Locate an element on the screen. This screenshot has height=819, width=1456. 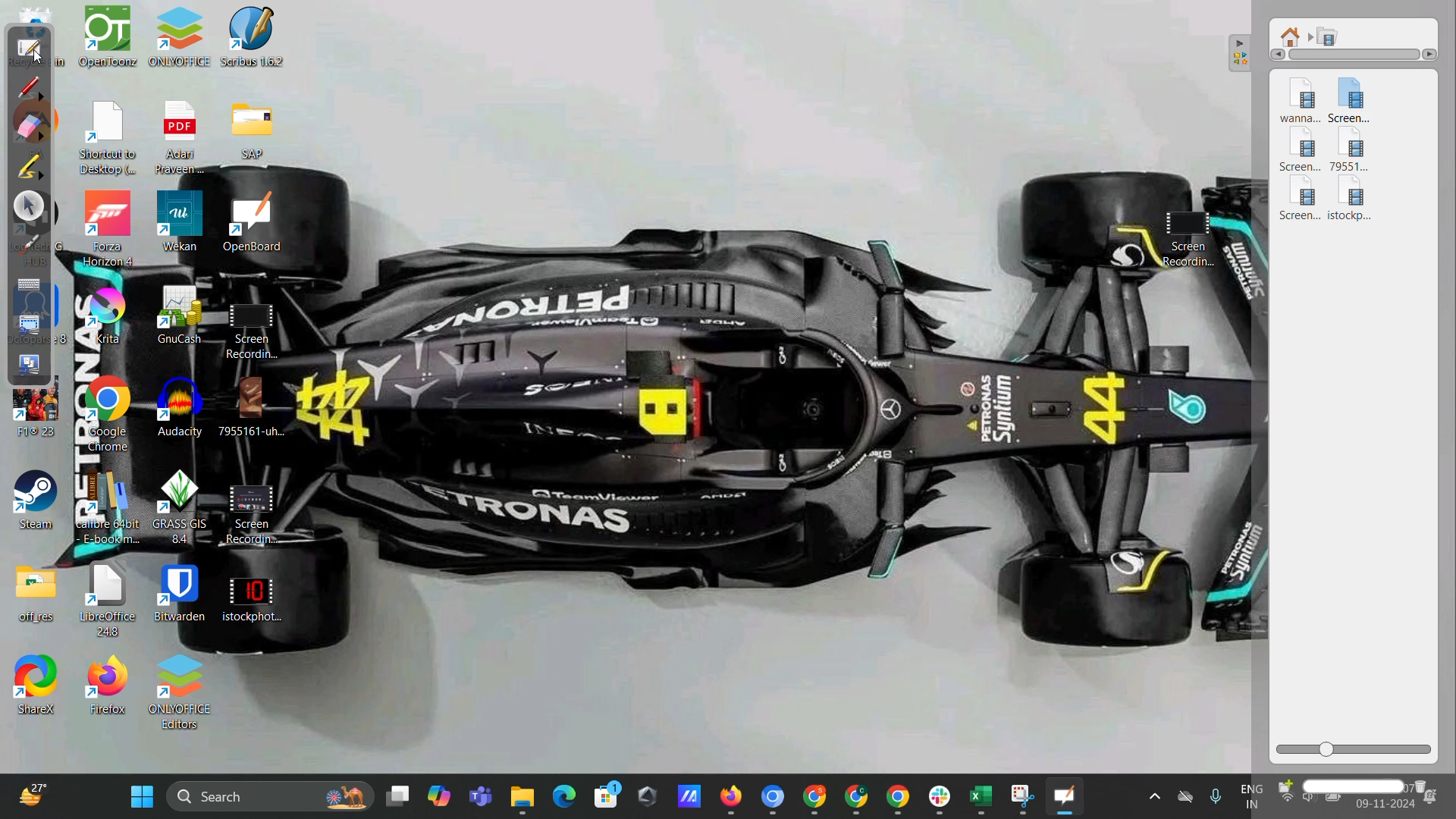
Grass GIS B.4 is located at coordinates (180, 506).